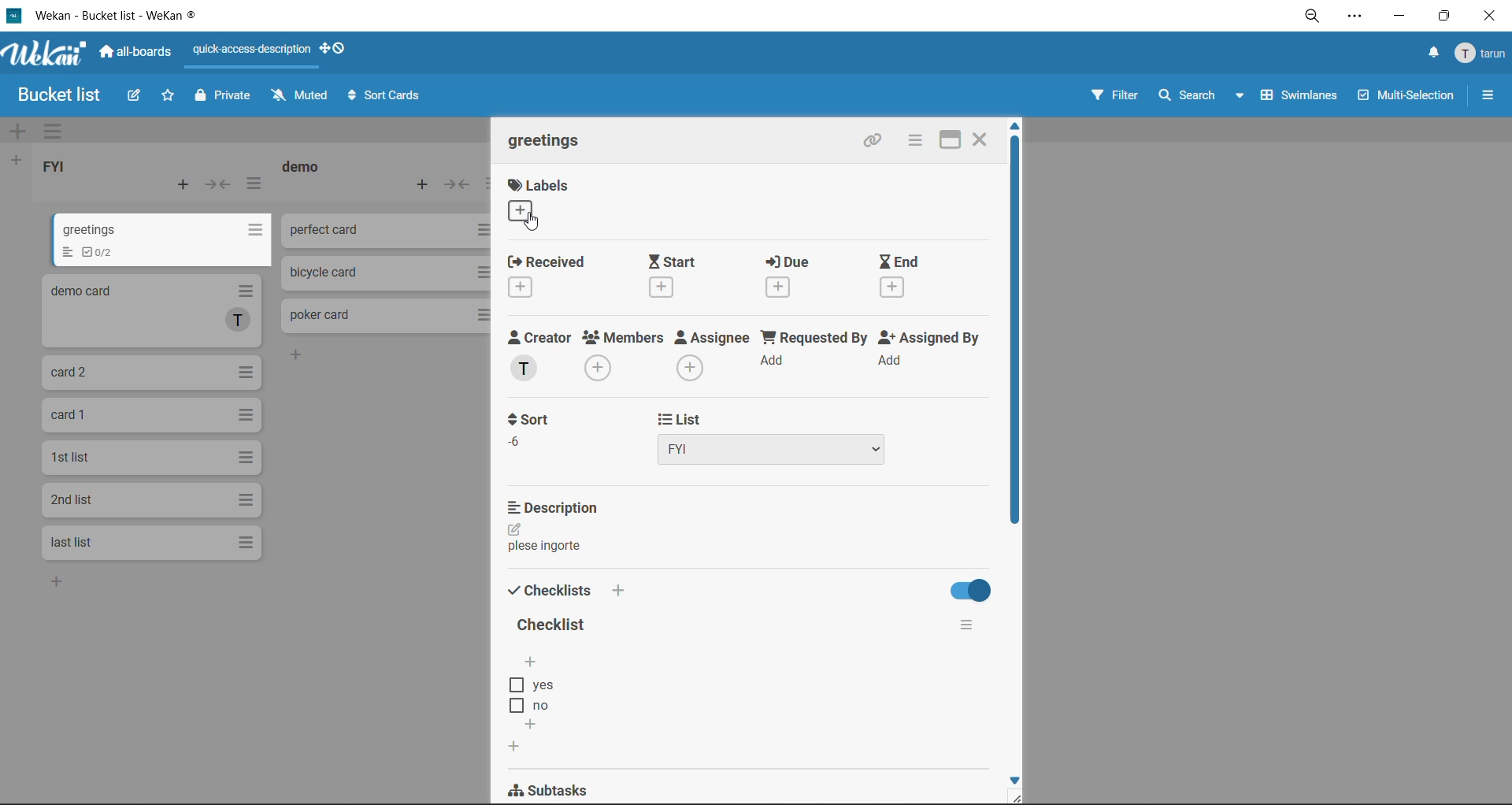 The width and height of the screenshot is (1512, 805). Describe the element at coordinates (984, 139) in the screenshot. I see `close` at that location.